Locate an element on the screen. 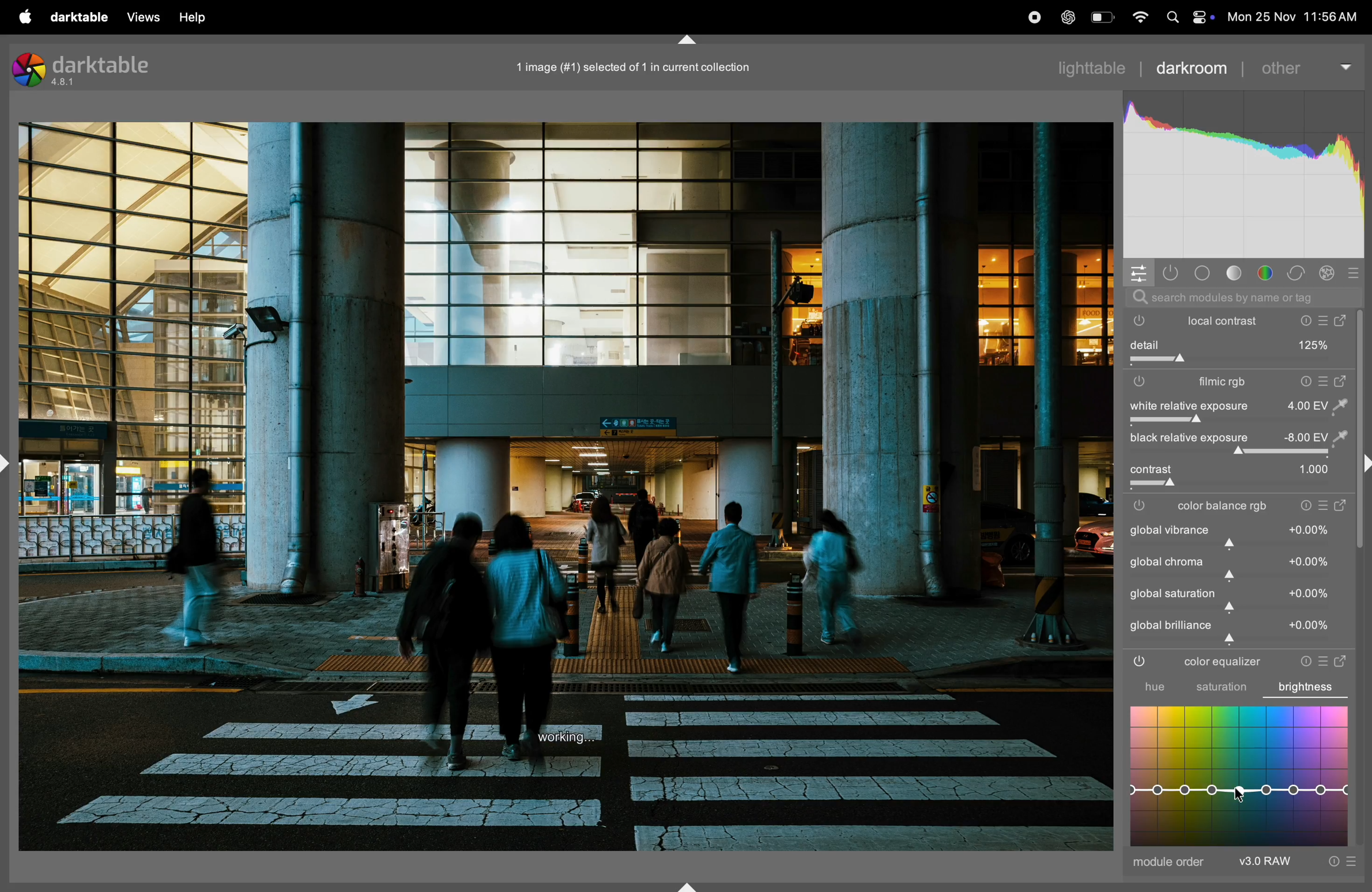 The image size is (1372, 892). apple widgets is located at coordinates (1187, 17).